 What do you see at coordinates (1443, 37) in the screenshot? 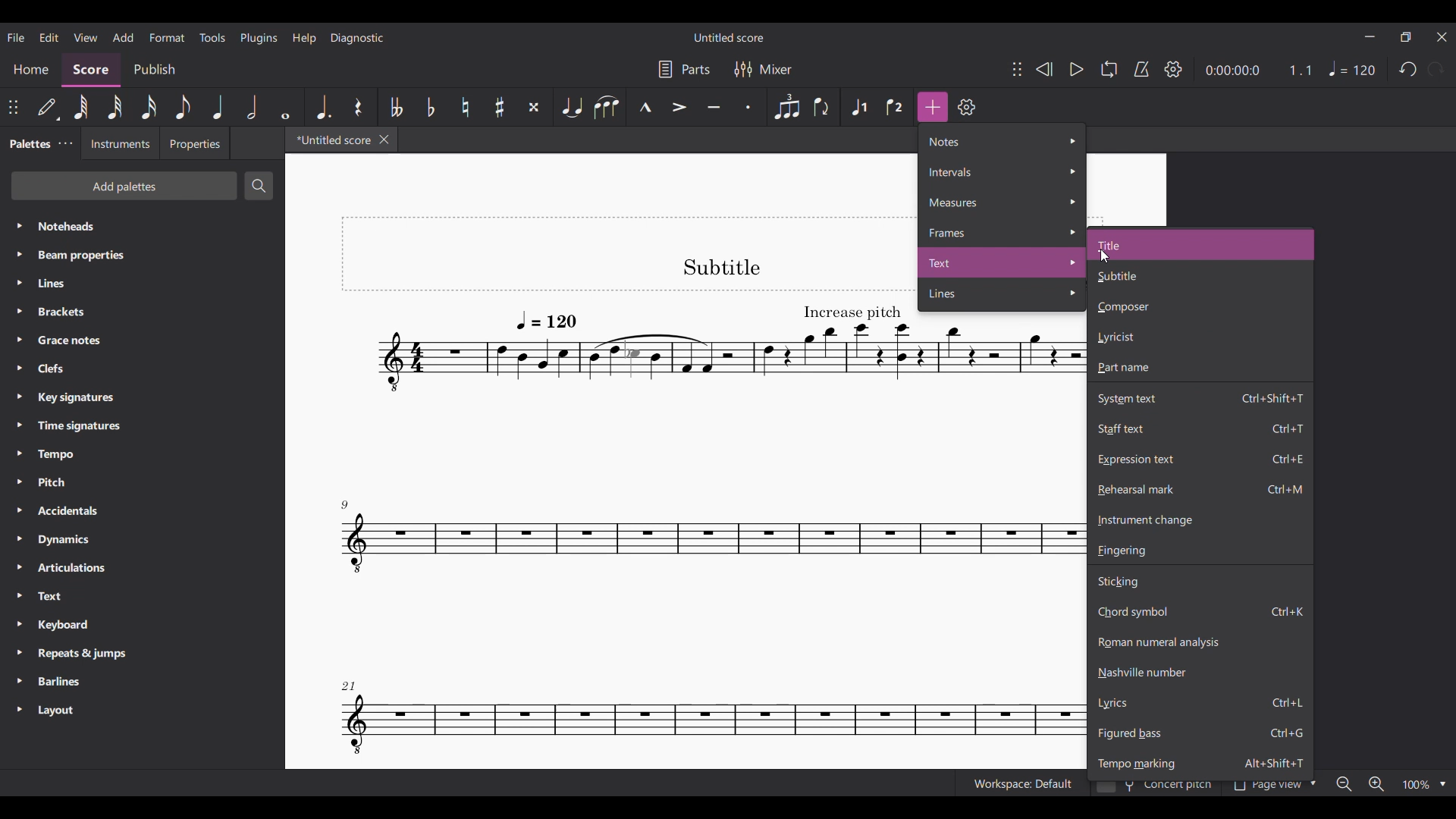
I see `Close interface` at bounding box center [1443, 37].